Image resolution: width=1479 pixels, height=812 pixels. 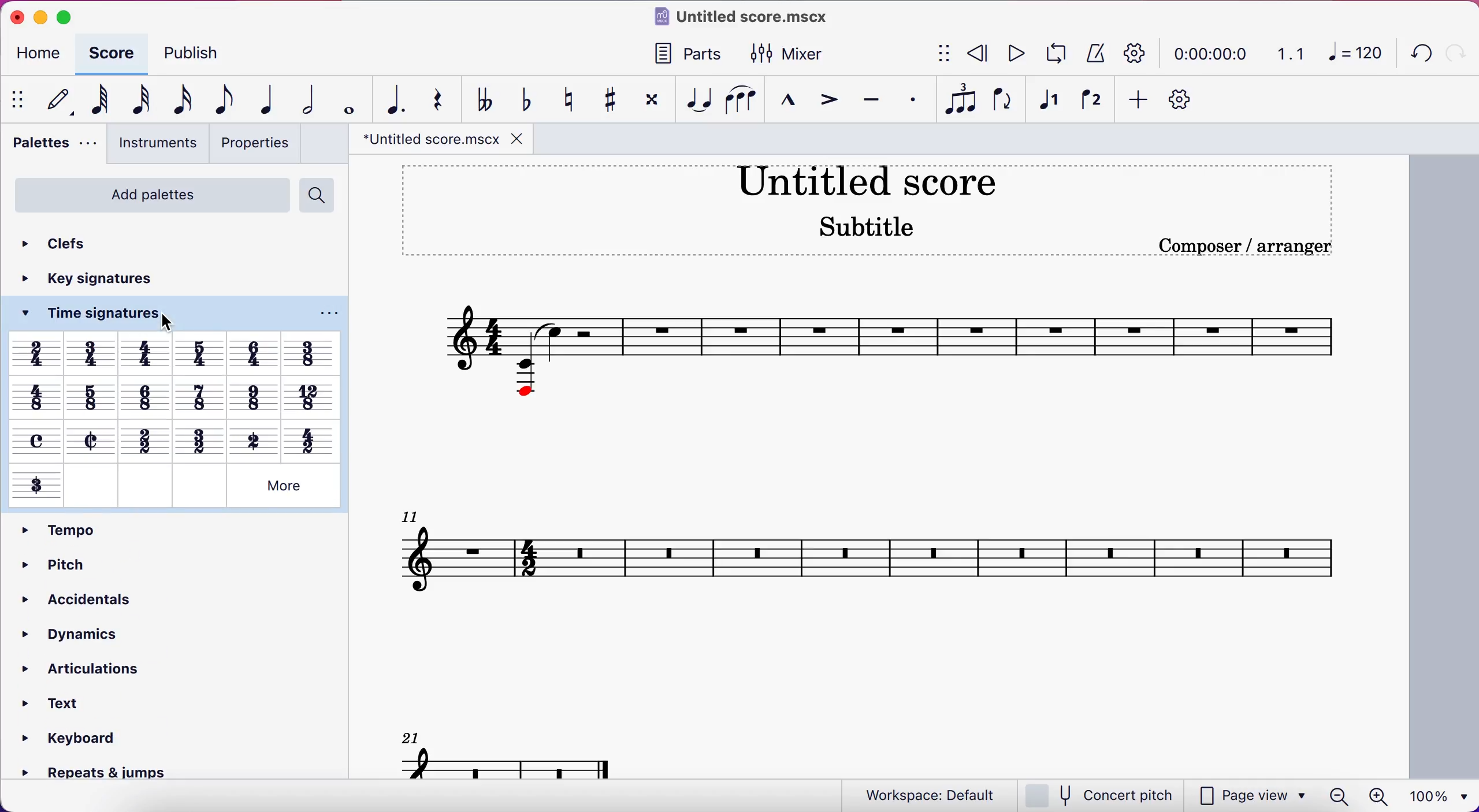 I want to click on workspace: default, so click(x=935, y=794).